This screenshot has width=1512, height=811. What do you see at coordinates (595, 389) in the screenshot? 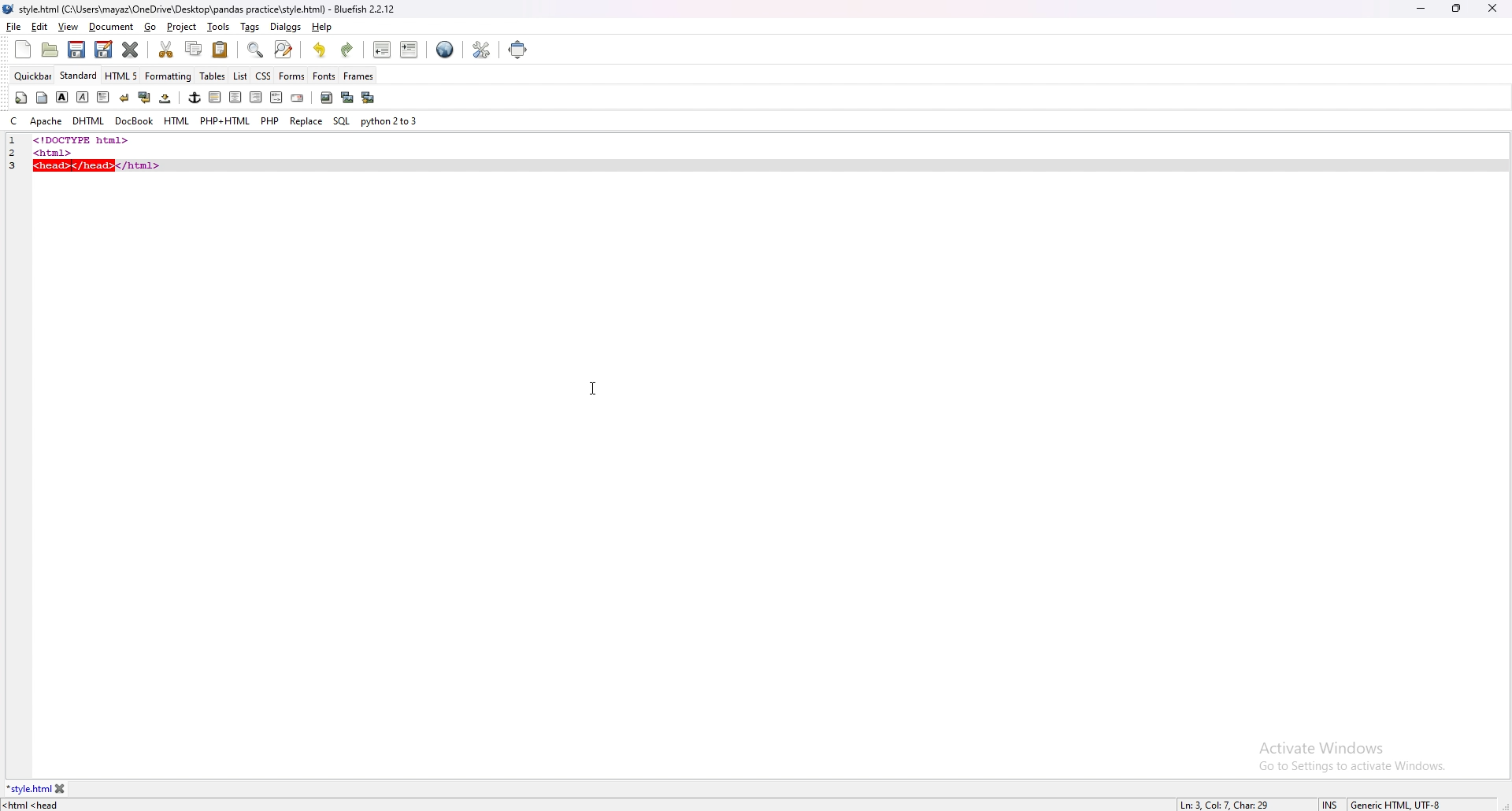
I see `cursor` at bounding box center [595, 389].